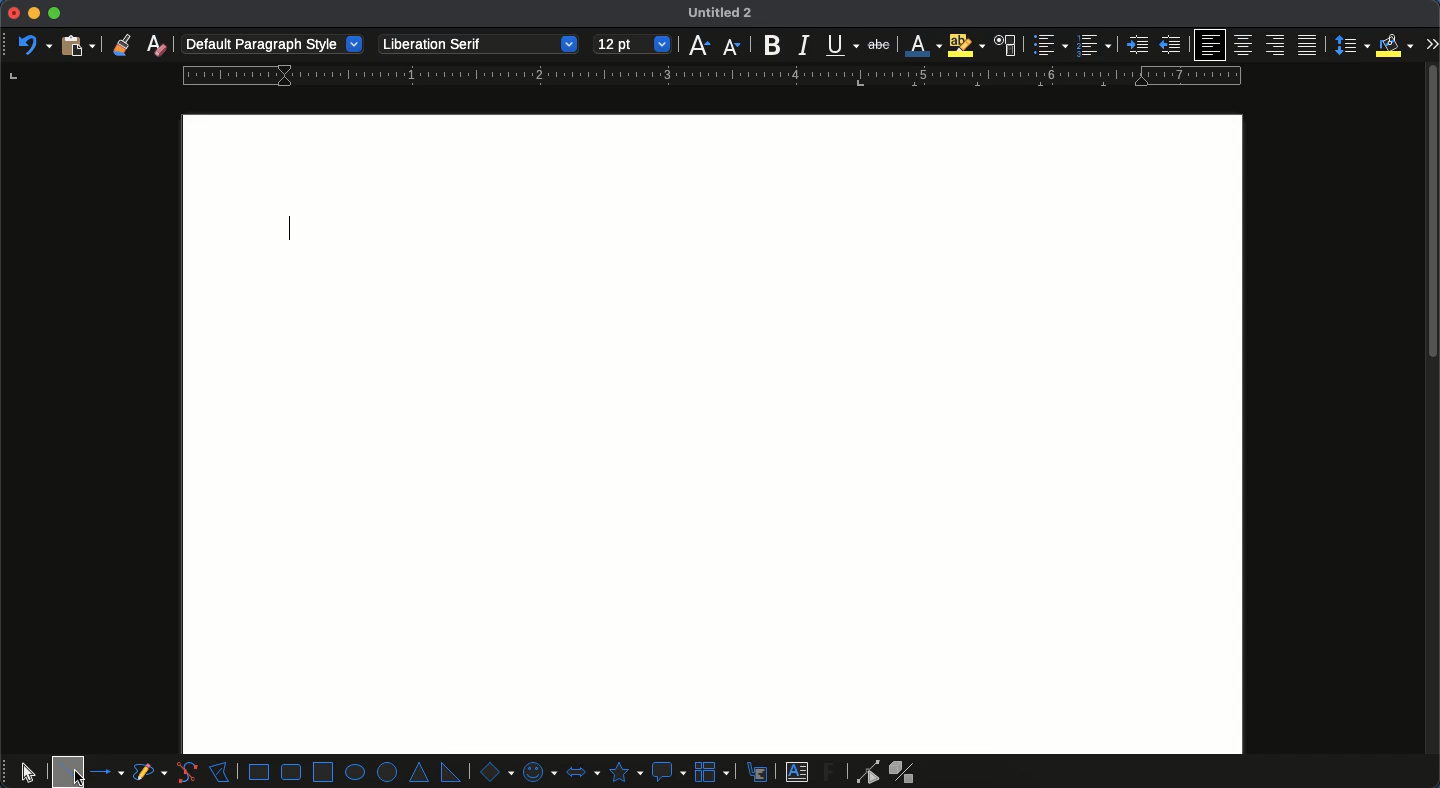  I want to click on font color, so click(923, 44).